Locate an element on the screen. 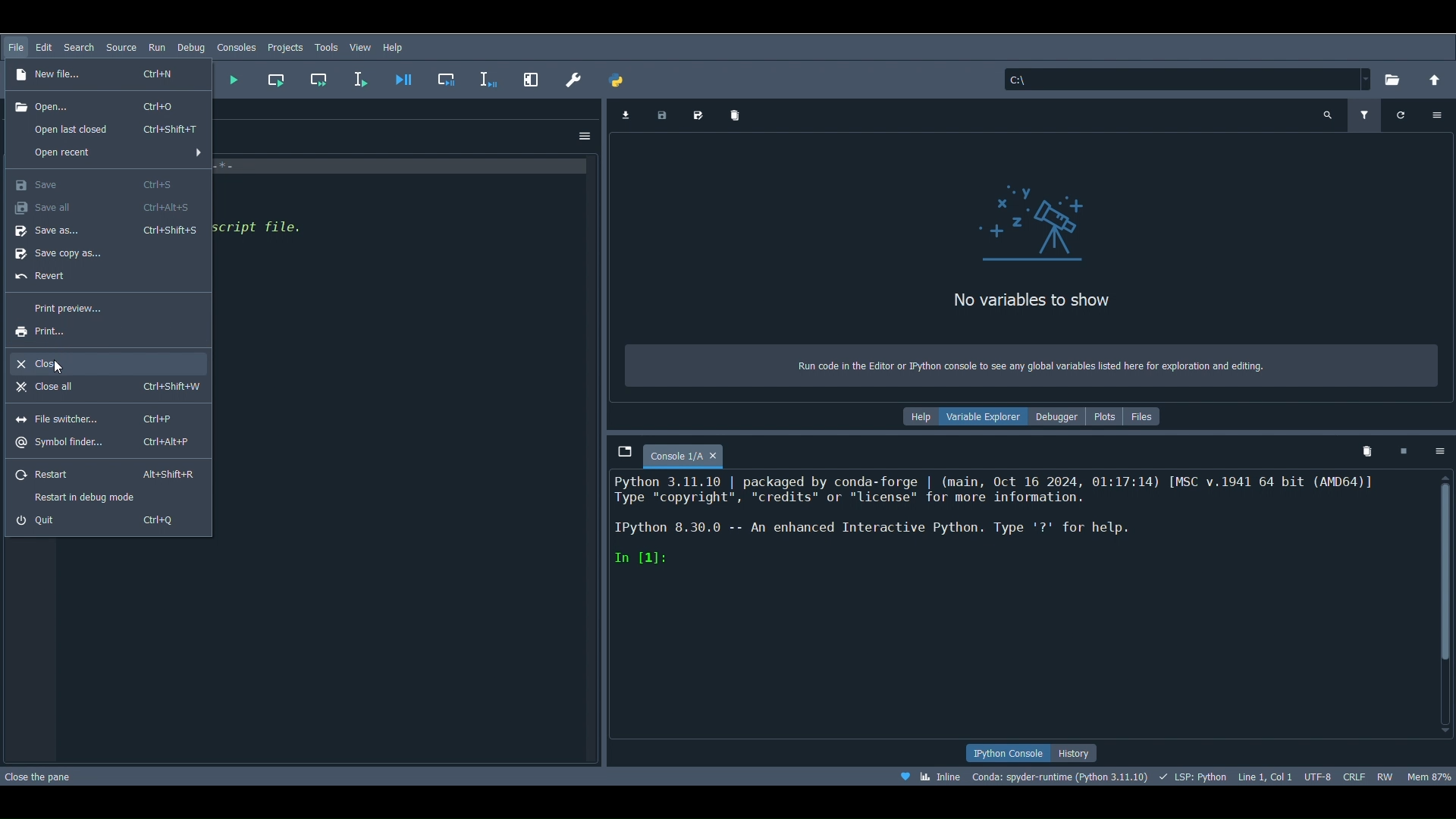 The height and width of the screenshot is (819, 1456). Console is located at coordinates (1020, 603).